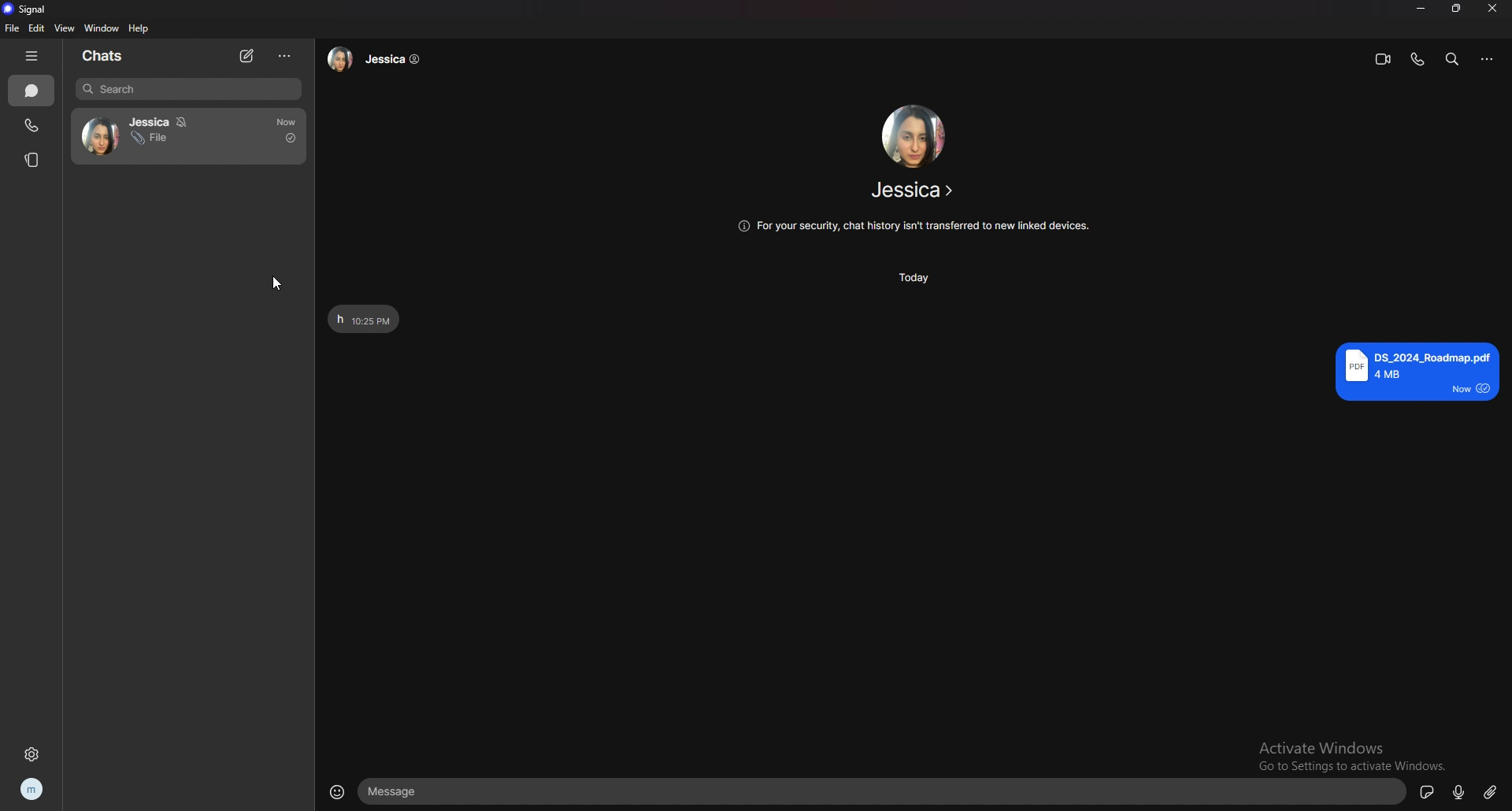 The width and height of the screenshot is (1512, 811). I want to click on chat, so click(191, 138).